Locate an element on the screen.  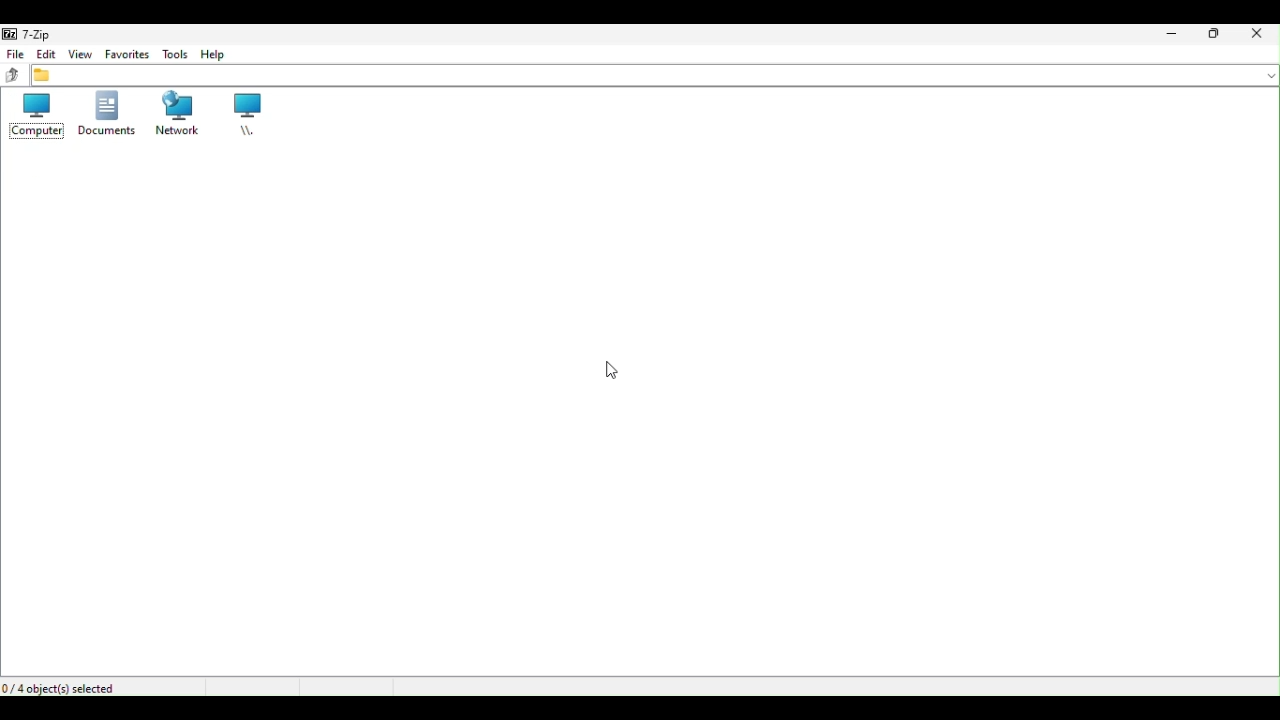
favourite is located at coordinates (127, 53).